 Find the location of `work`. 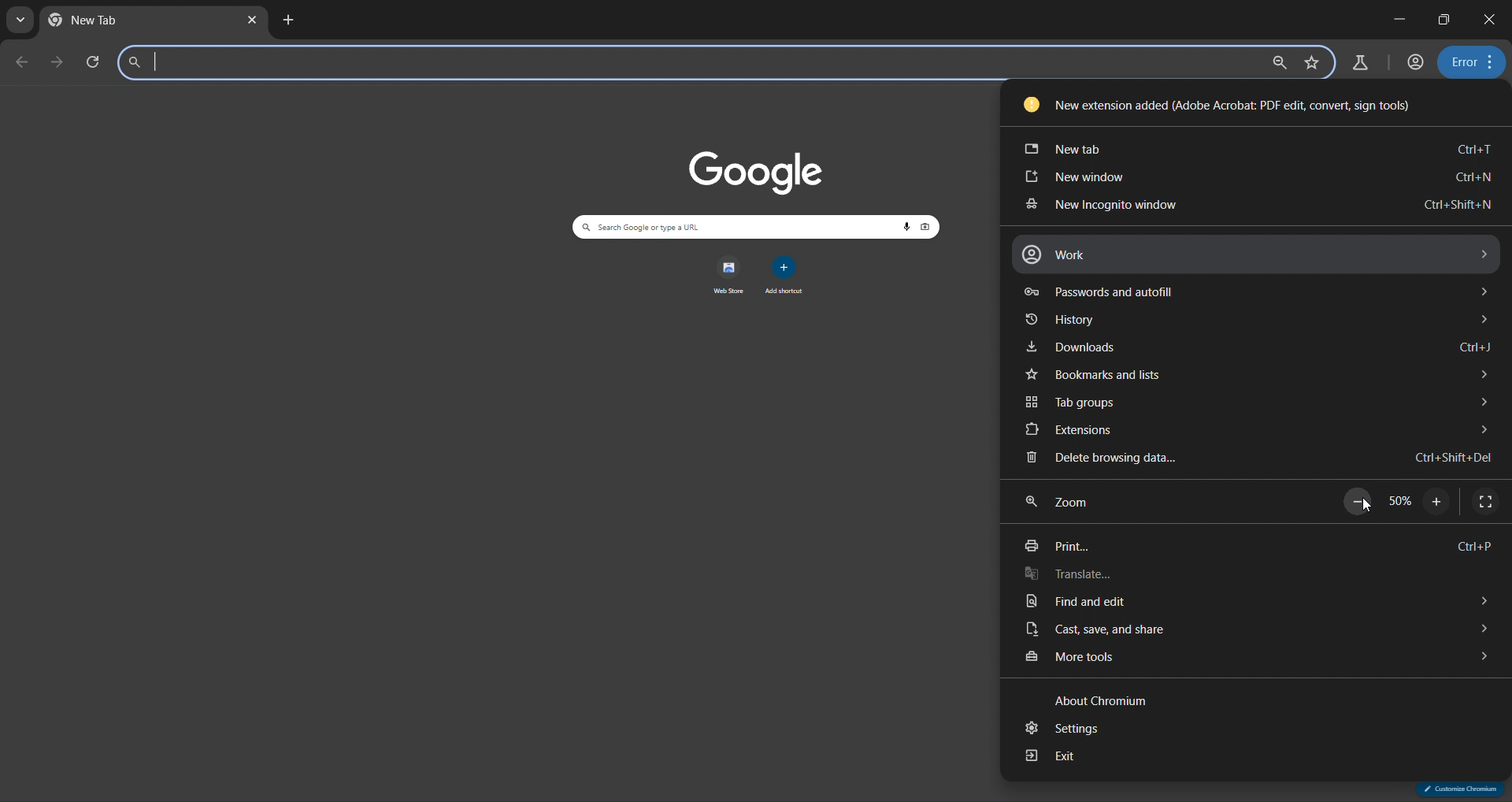

work is located at coordinates (1257, 254).